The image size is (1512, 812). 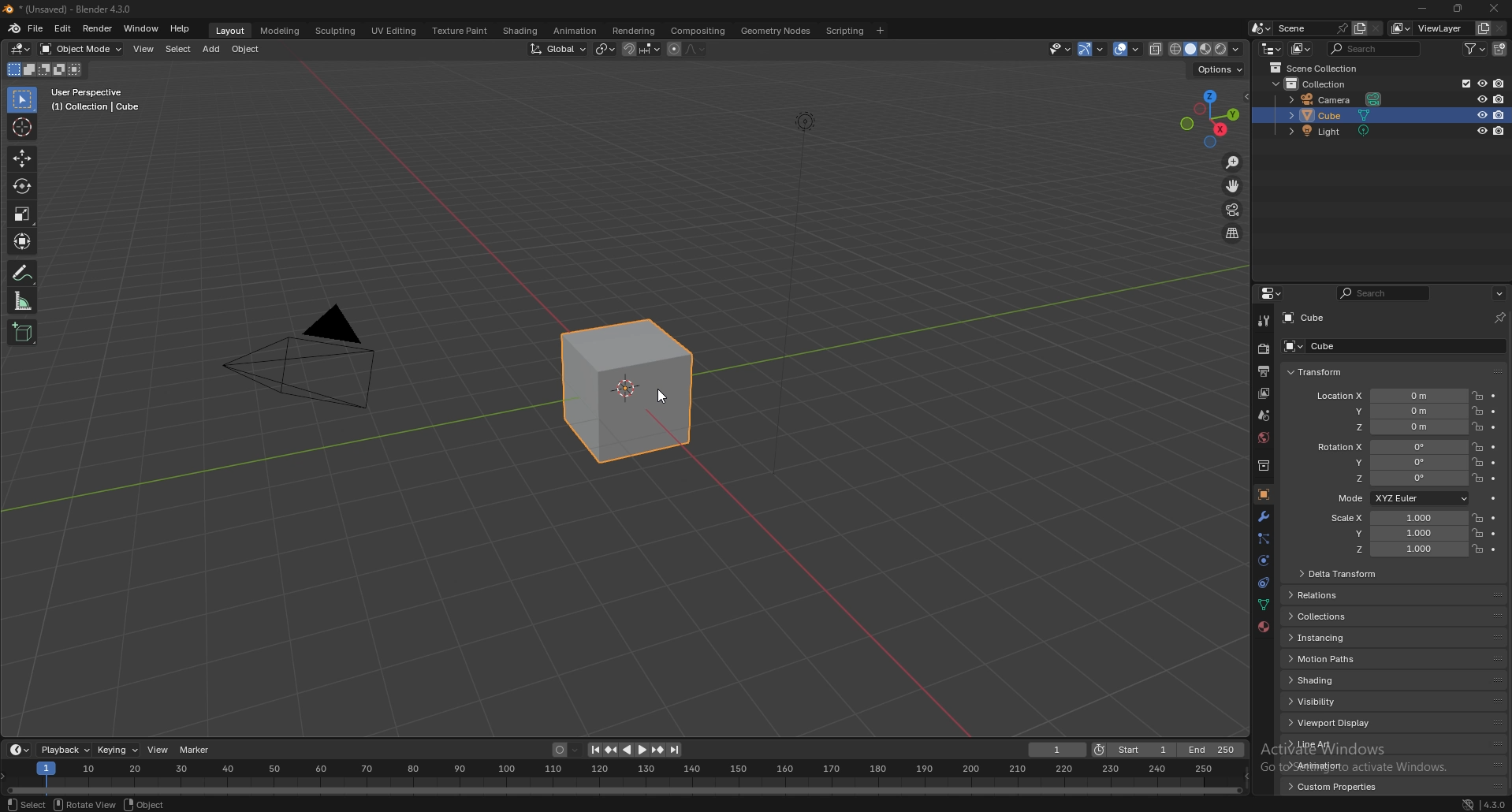 What do you see at coordinates (1387, 292) in the screenshot?
I see `display filter` at bounding box center [1387, 292].